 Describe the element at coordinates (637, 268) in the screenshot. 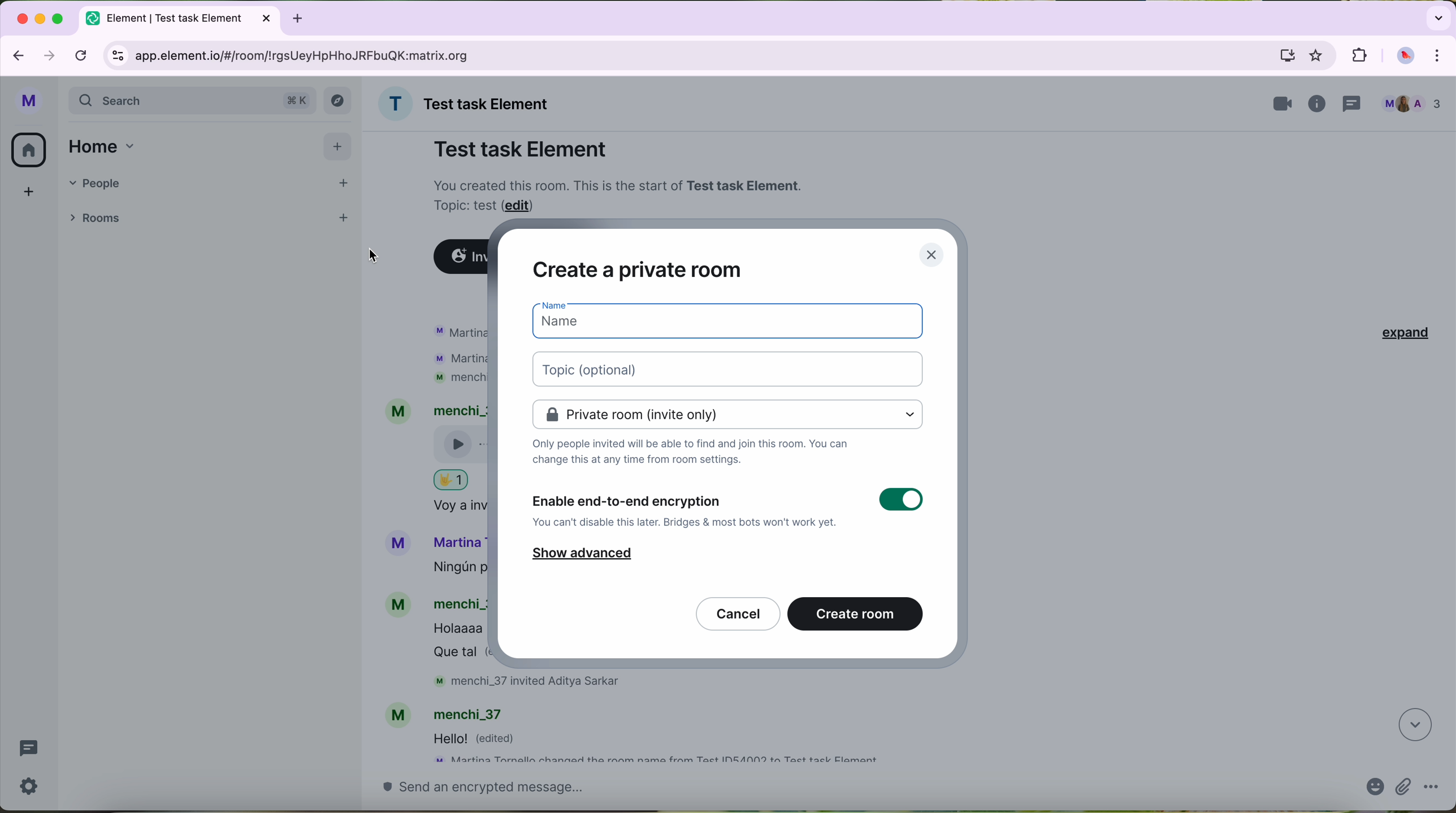

I see `create a private room` at that location.